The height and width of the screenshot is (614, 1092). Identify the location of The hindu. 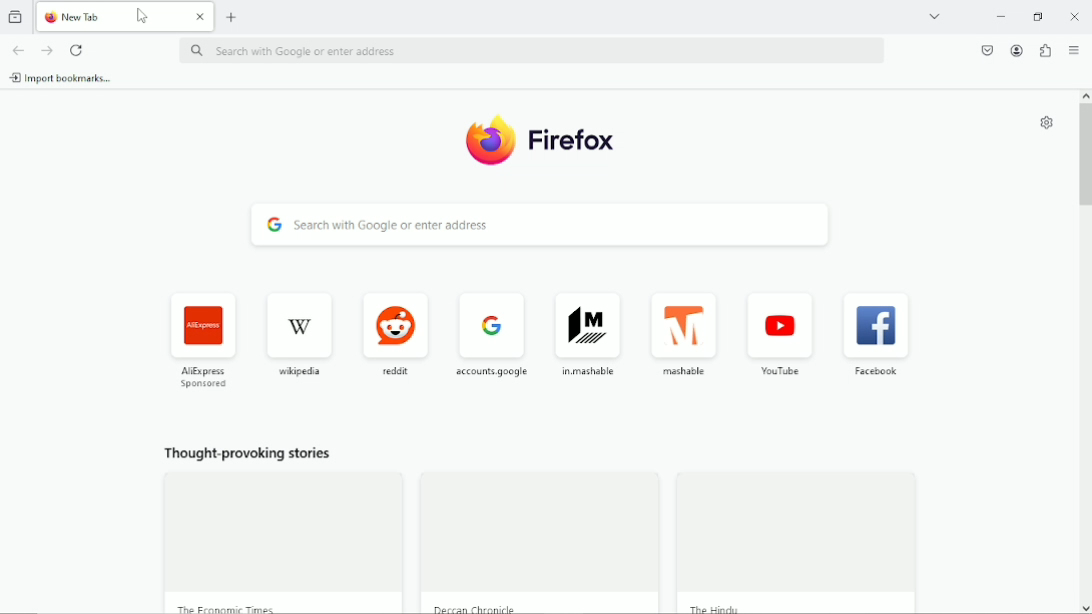
(722, 607).